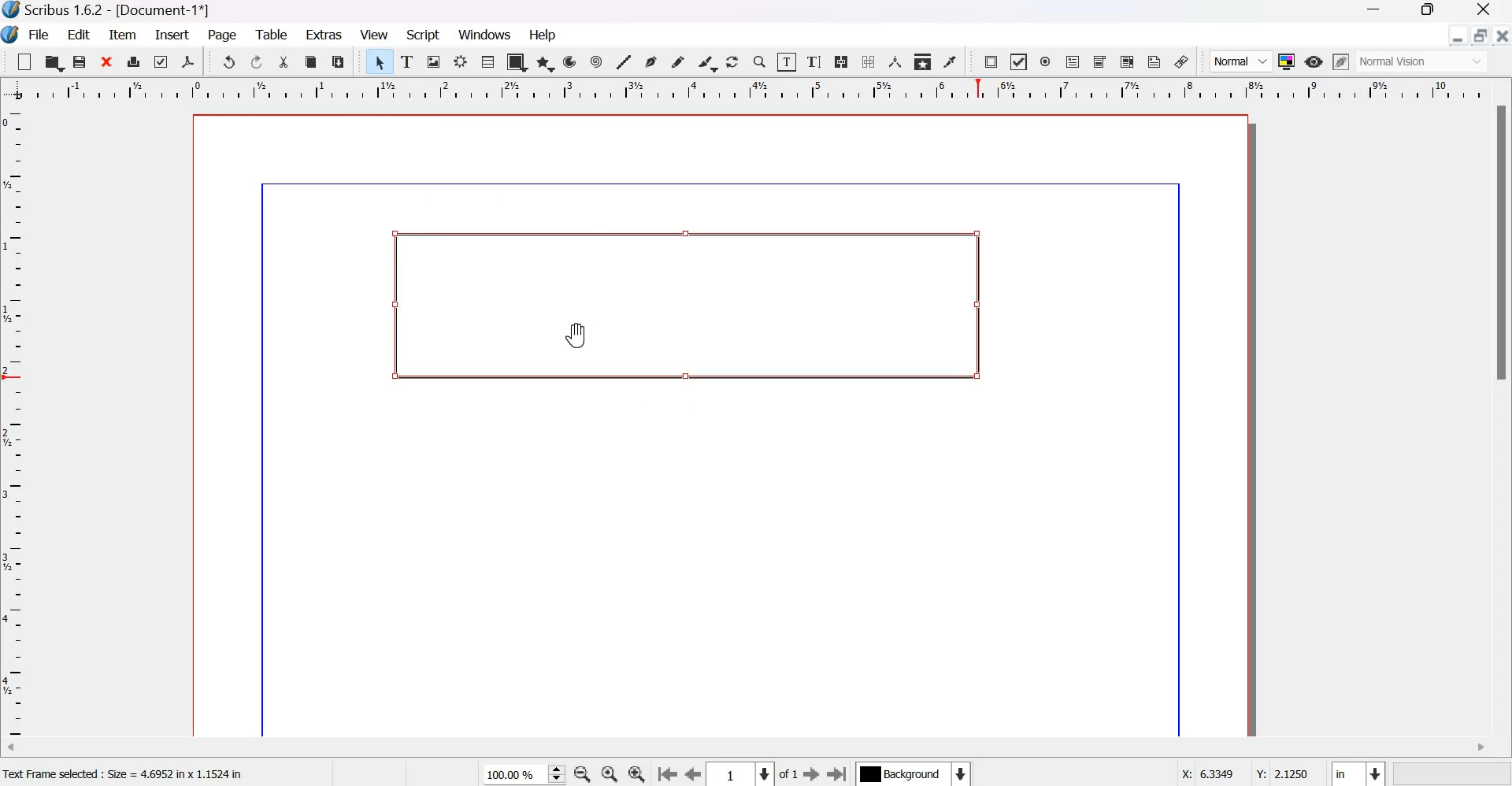 This screenshot has width=1512, height=786. What do you see at coordinates (682, 307) in the screenshot?
I see `text frame` at bounding box center [682, 307].